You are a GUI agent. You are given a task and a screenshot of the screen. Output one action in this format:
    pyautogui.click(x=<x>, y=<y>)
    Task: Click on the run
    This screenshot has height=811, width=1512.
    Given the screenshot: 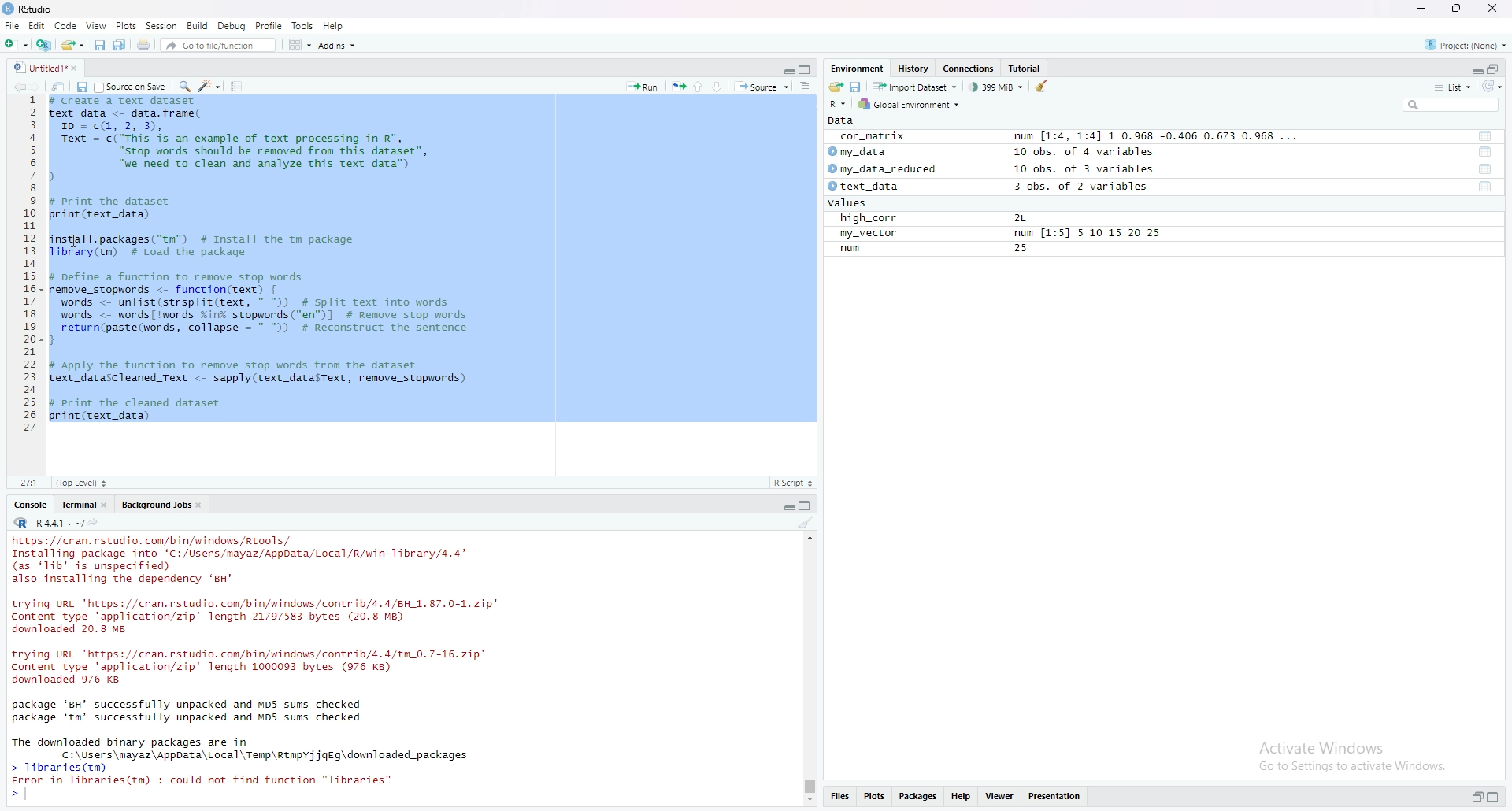 What is the action you would take?
    pyautogui.click(x=847, y=249)
    